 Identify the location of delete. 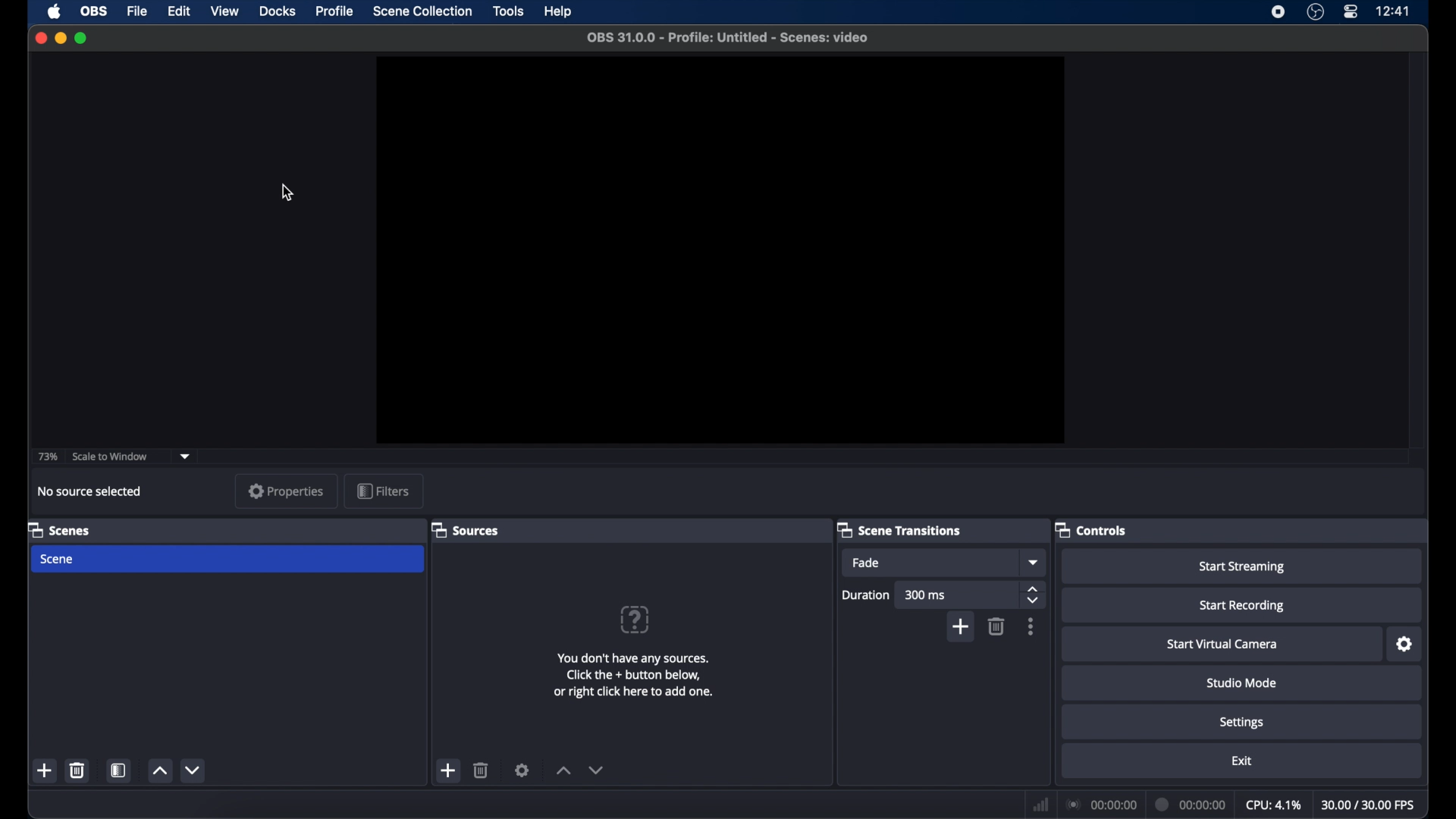
(77, 770).